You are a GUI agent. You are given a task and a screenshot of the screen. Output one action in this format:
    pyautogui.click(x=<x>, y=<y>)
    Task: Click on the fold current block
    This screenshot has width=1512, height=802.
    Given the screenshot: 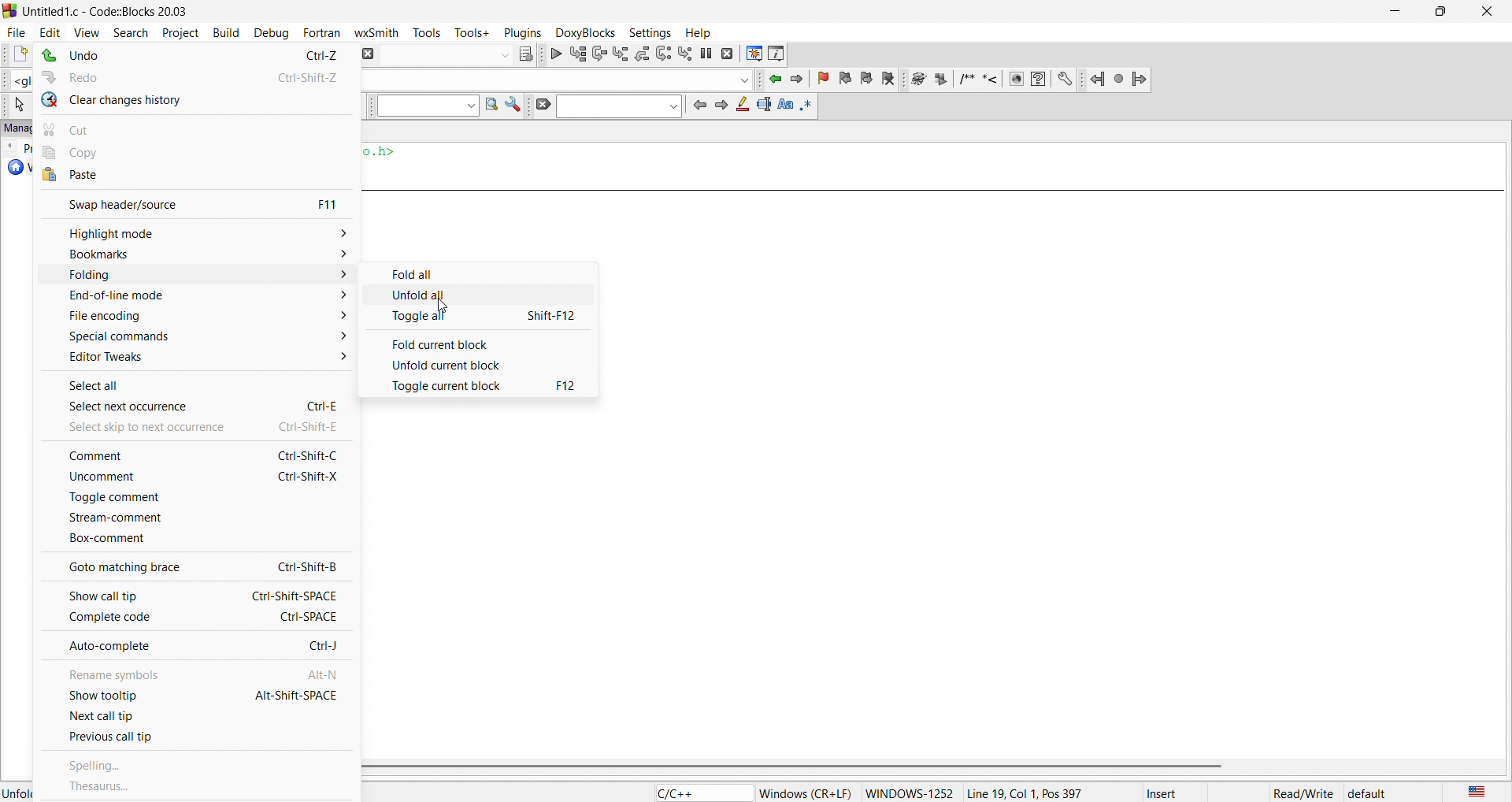 What is the action you would take?
    pyautogui.click(x=480, y=341)
    